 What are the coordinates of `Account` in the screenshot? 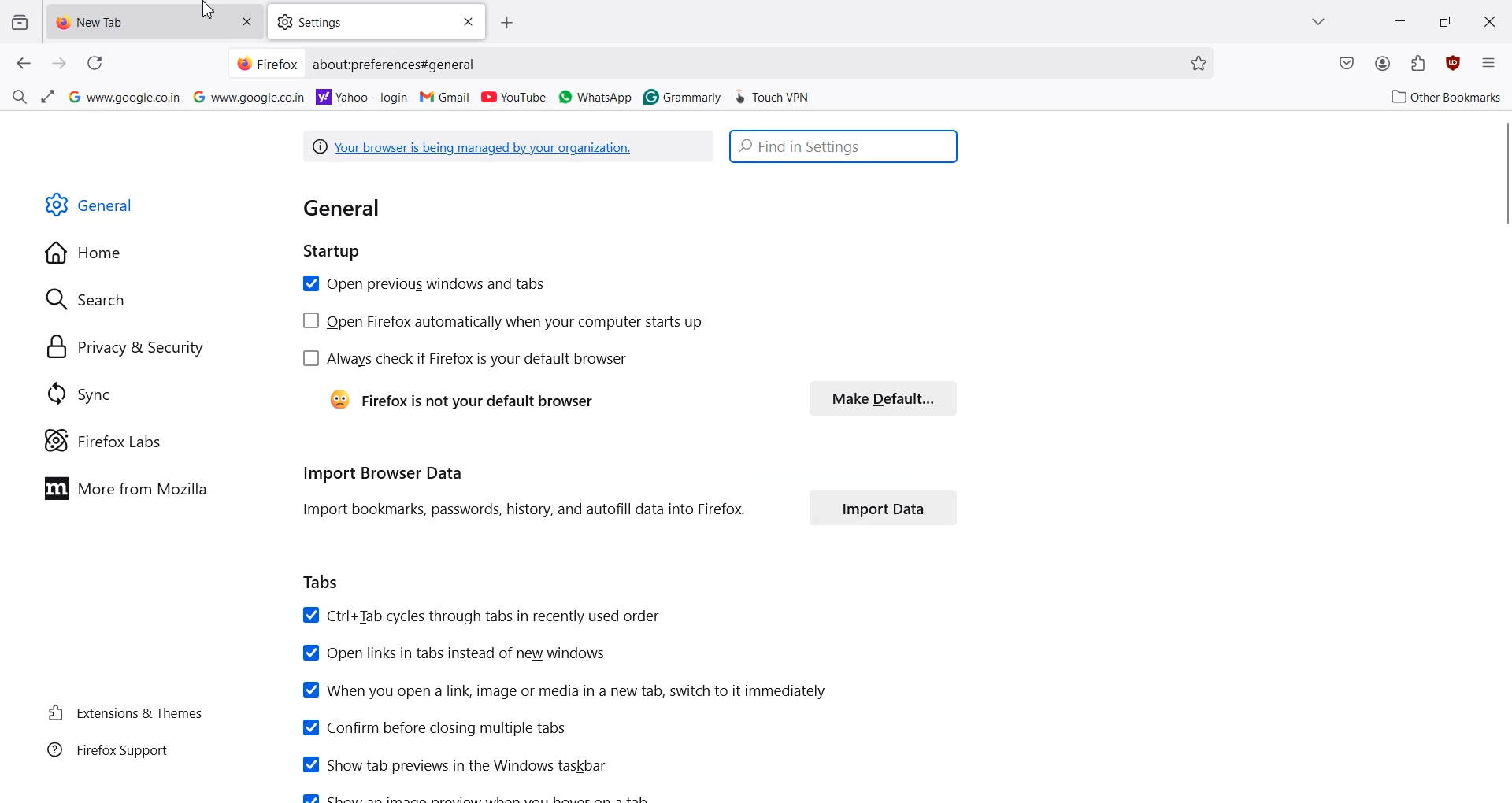 It's located at (1383, 64).